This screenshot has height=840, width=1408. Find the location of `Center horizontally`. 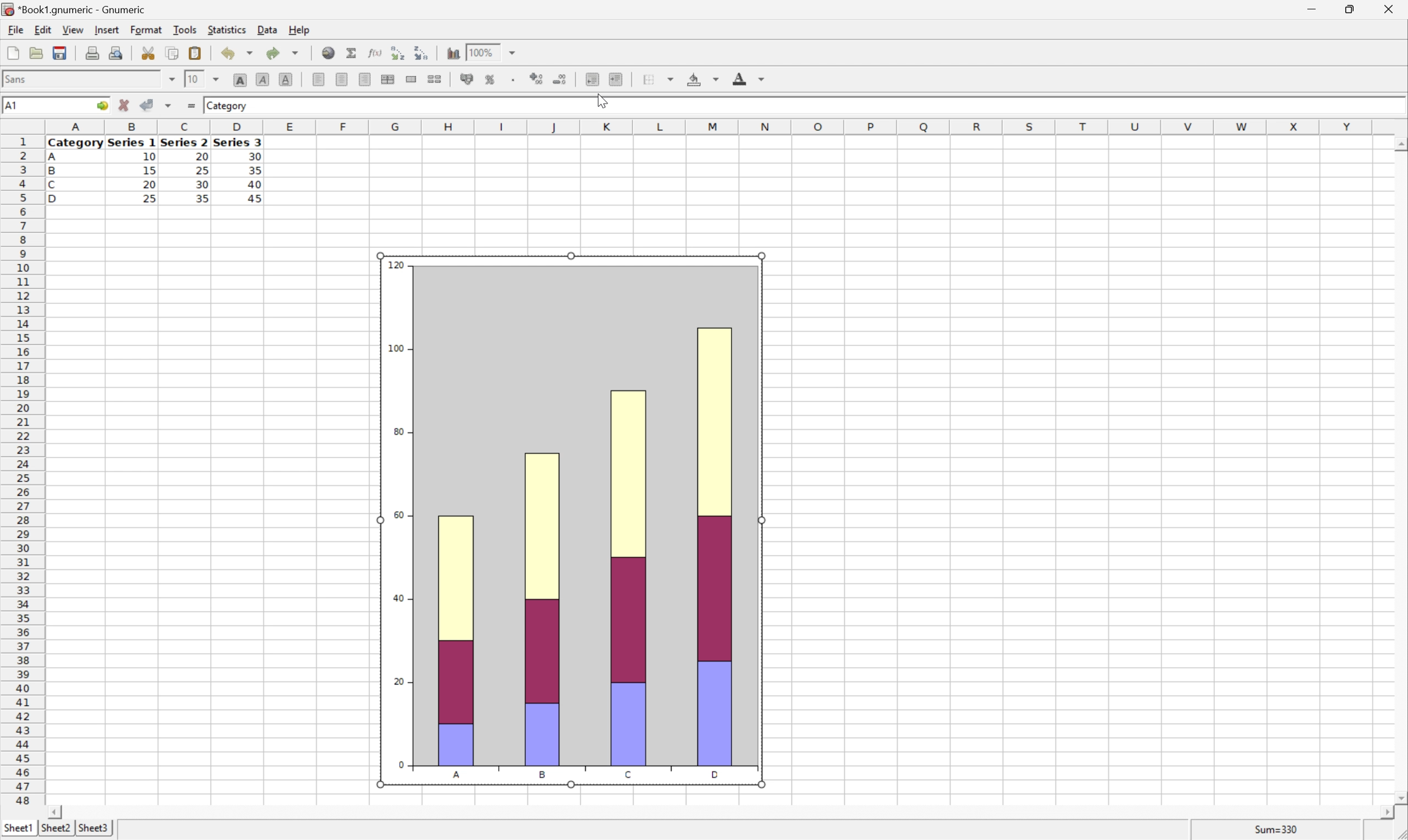

Center horizontally is located at coordinates (343, 78).